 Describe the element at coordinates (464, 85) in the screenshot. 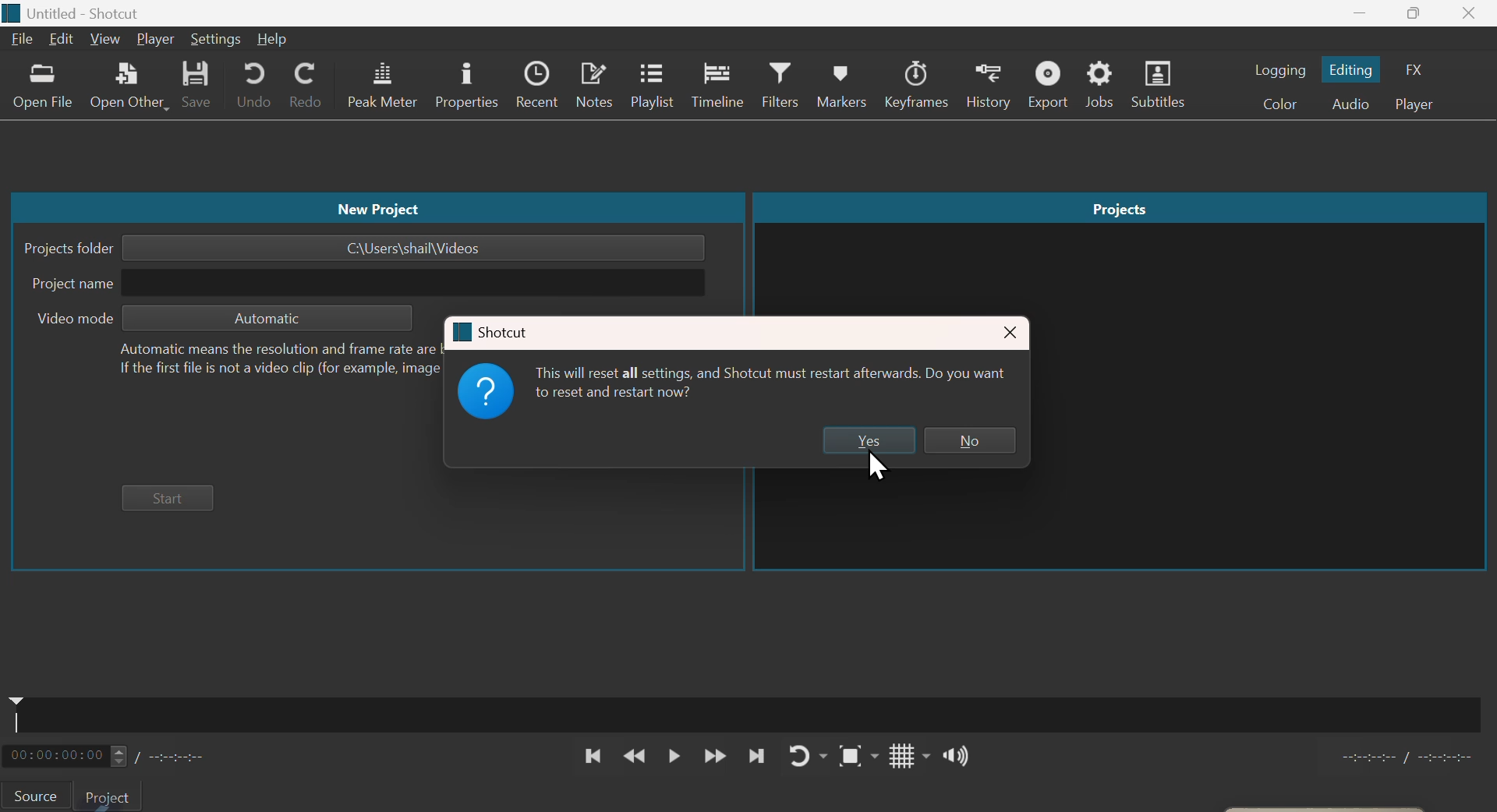

I see `Properties` at that location.